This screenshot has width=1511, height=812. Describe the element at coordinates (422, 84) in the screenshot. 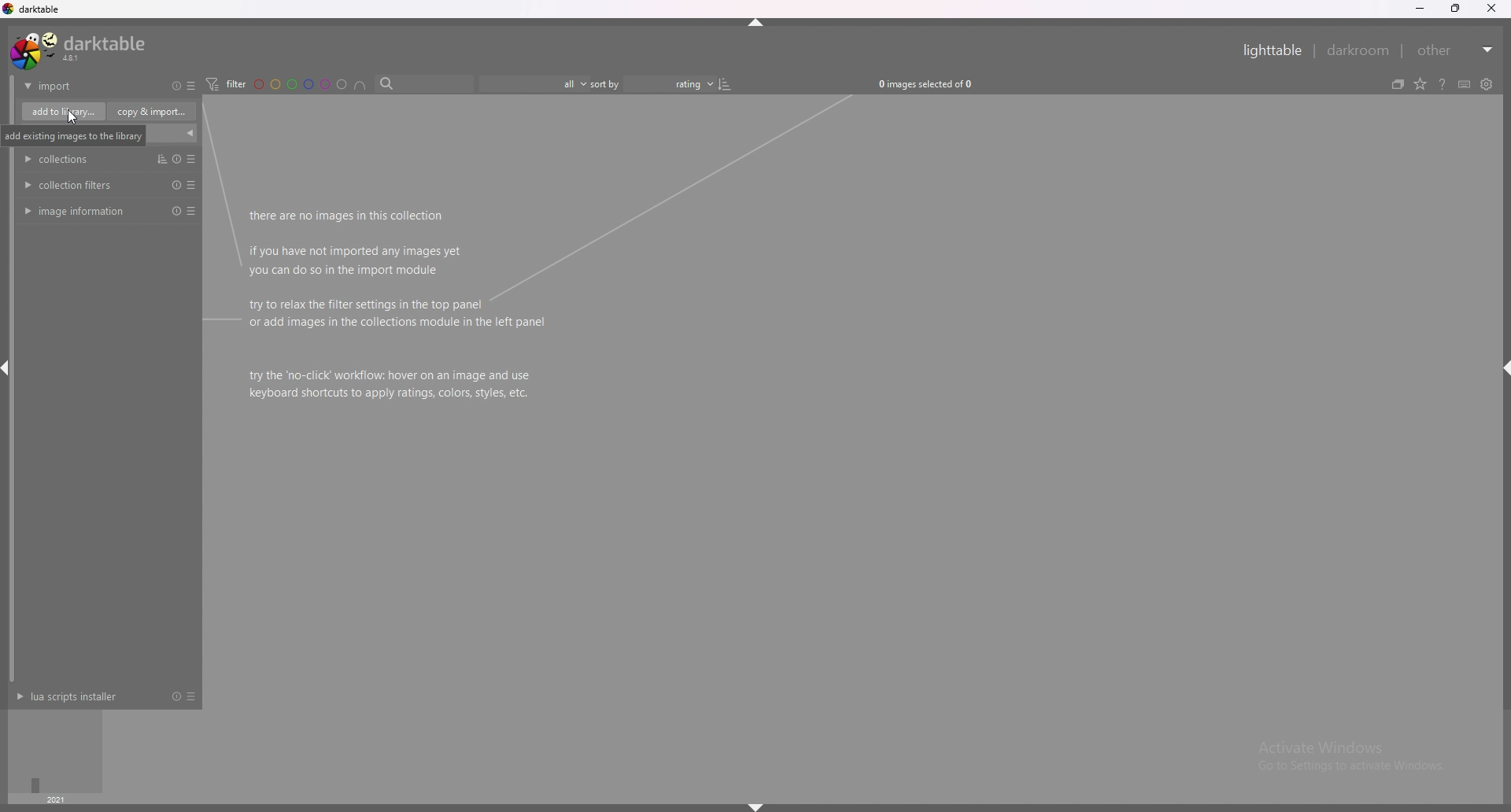

I see `search bar` at that location.